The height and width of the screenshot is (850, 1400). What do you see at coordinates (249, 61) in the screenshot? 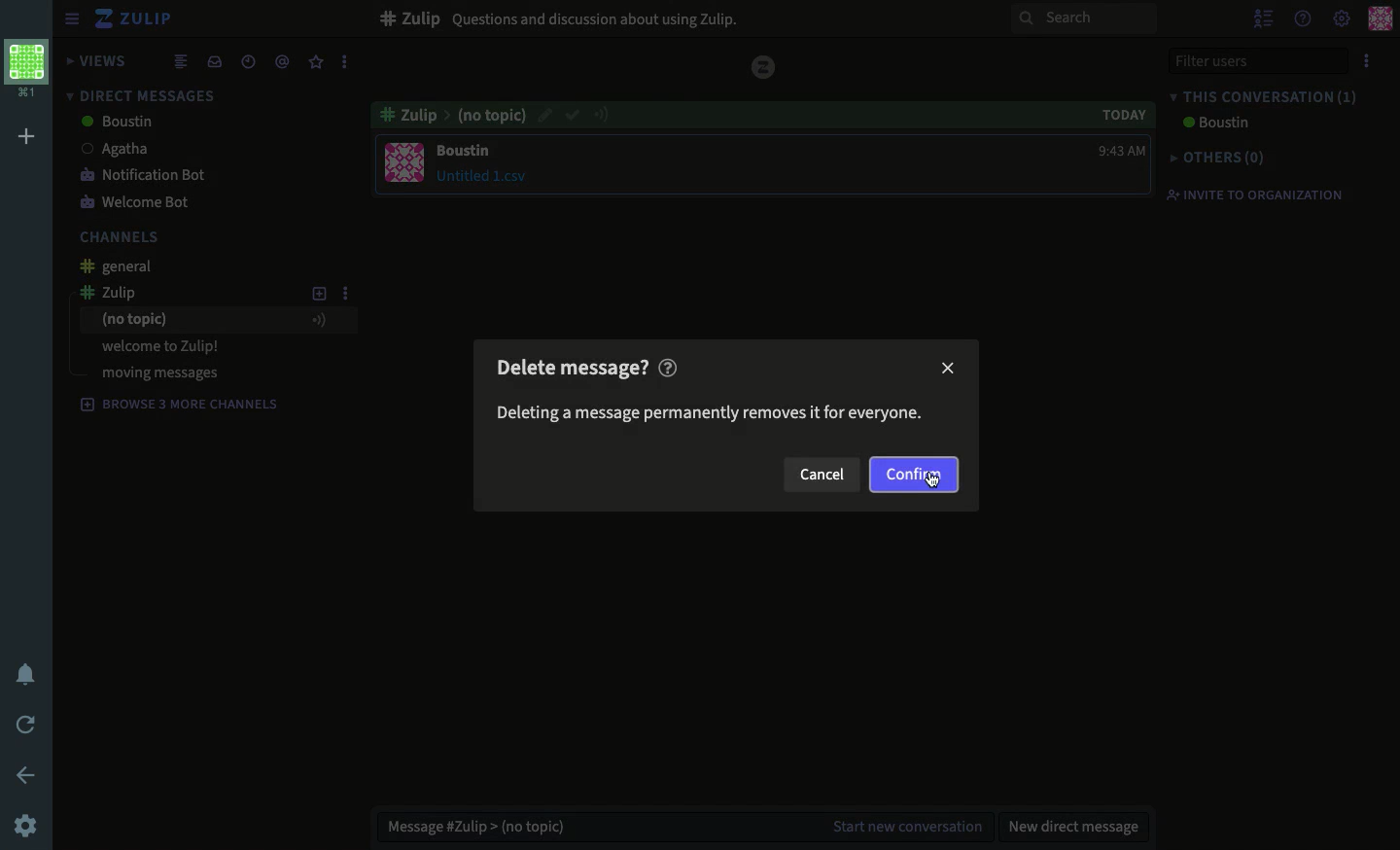
I see `date time` at bounding box center [249, 61].